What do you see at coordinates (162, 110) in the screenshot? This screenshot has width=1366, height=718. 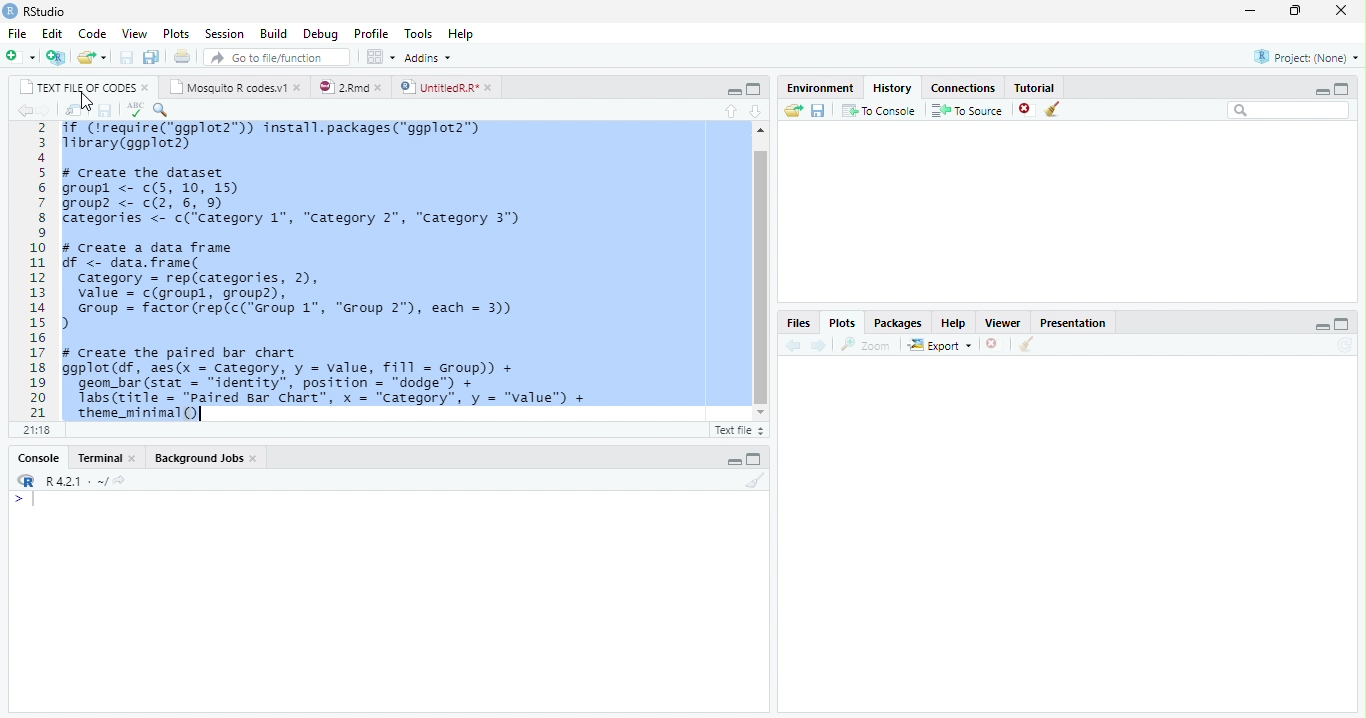 I see `find and replace ` at bounding box center [162, 110].